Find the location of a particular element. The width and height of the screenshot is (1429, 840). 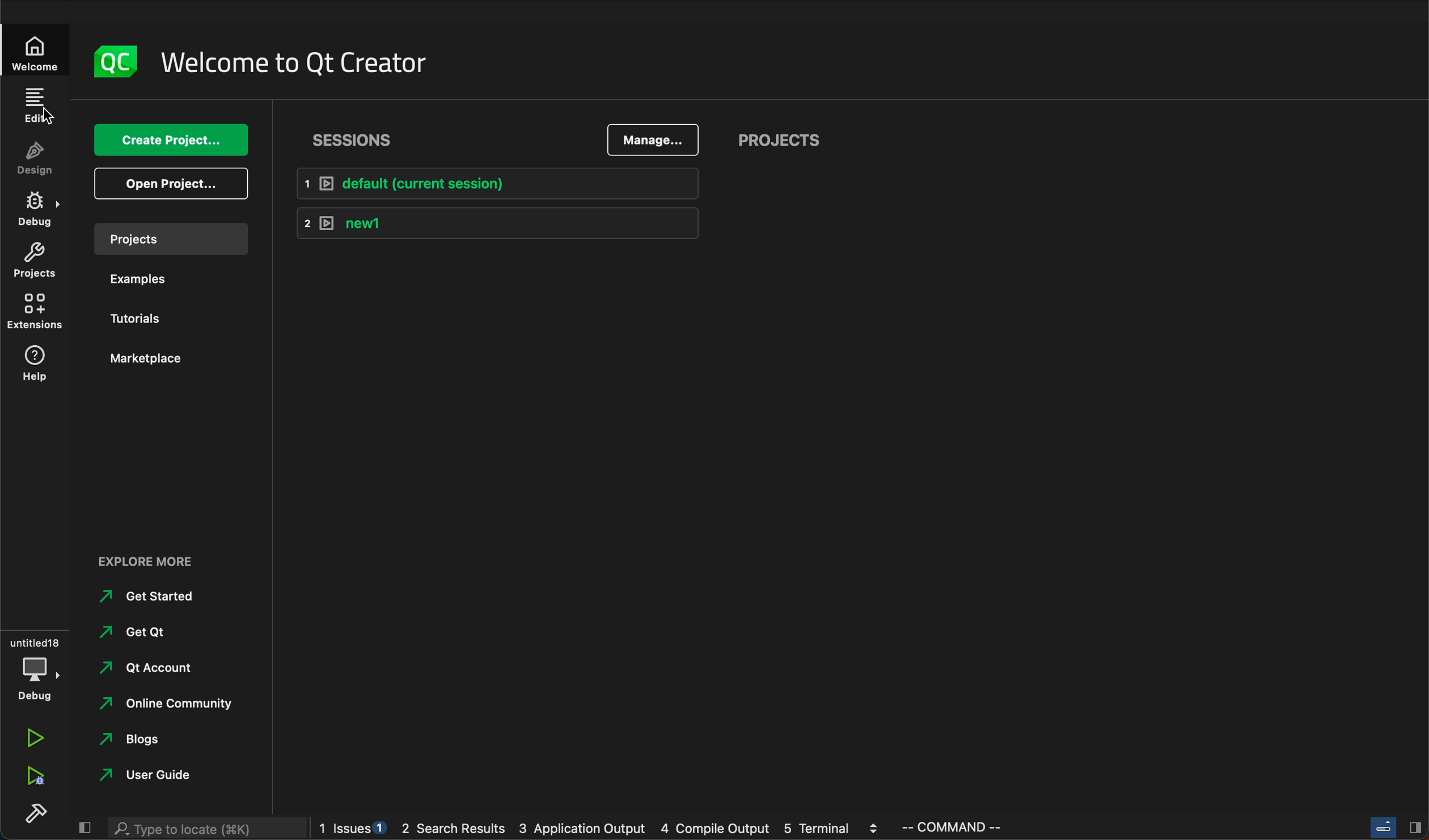

debug is located at coordinates (41, 211).